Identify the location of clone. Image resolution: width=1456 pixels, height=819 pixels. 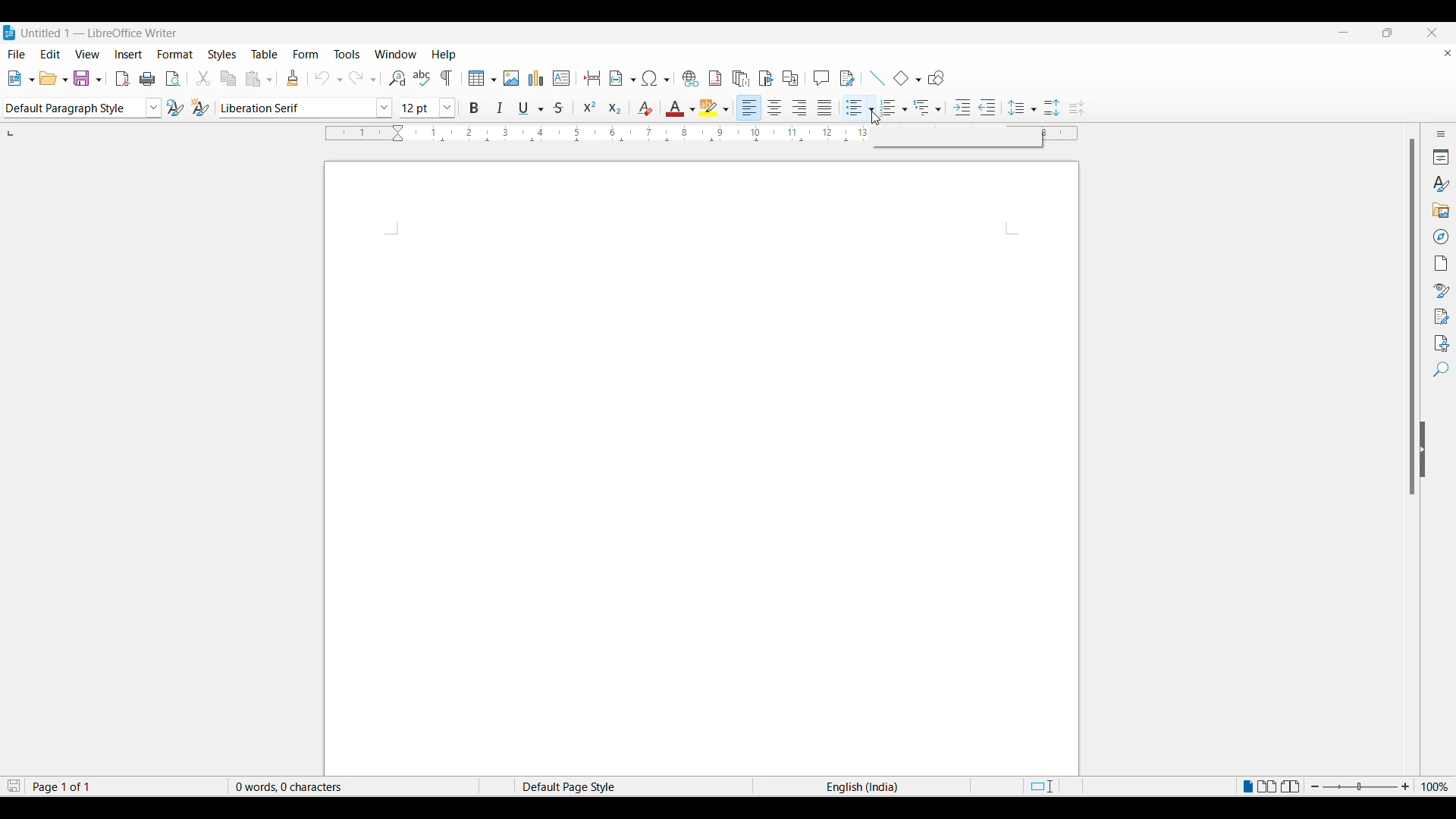
(294, 78).